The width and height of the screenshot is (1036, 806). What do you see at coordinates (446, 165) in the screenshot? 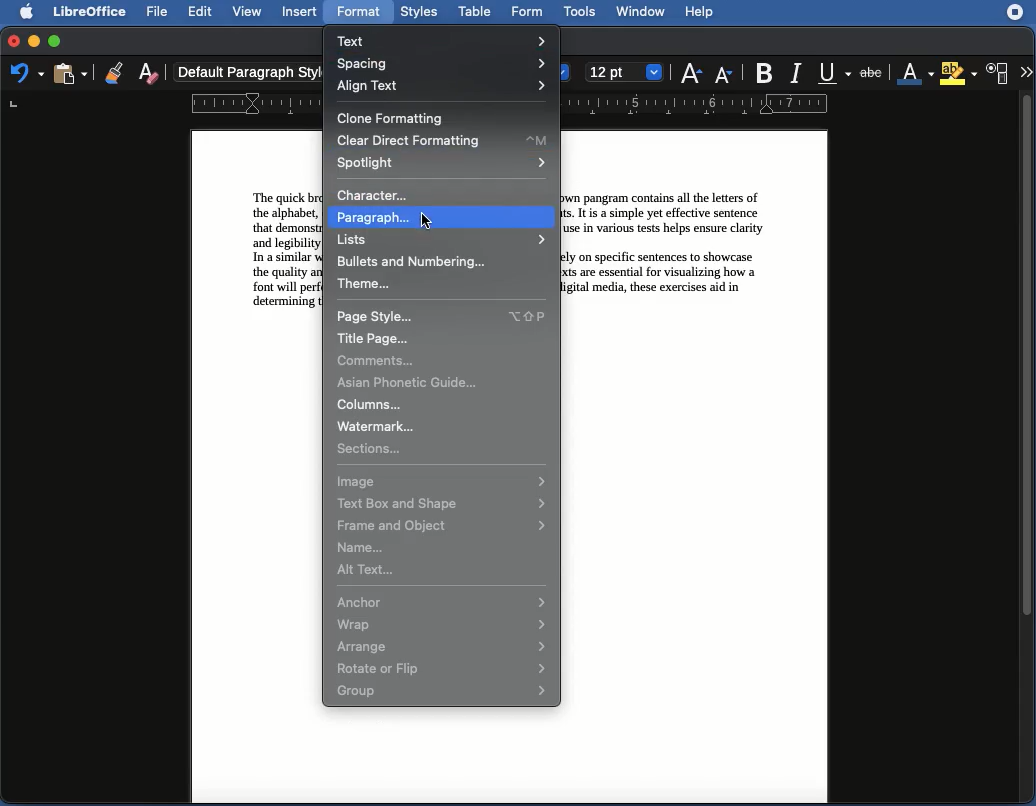
I see `Spotlight` at bounding box center [446, 165].